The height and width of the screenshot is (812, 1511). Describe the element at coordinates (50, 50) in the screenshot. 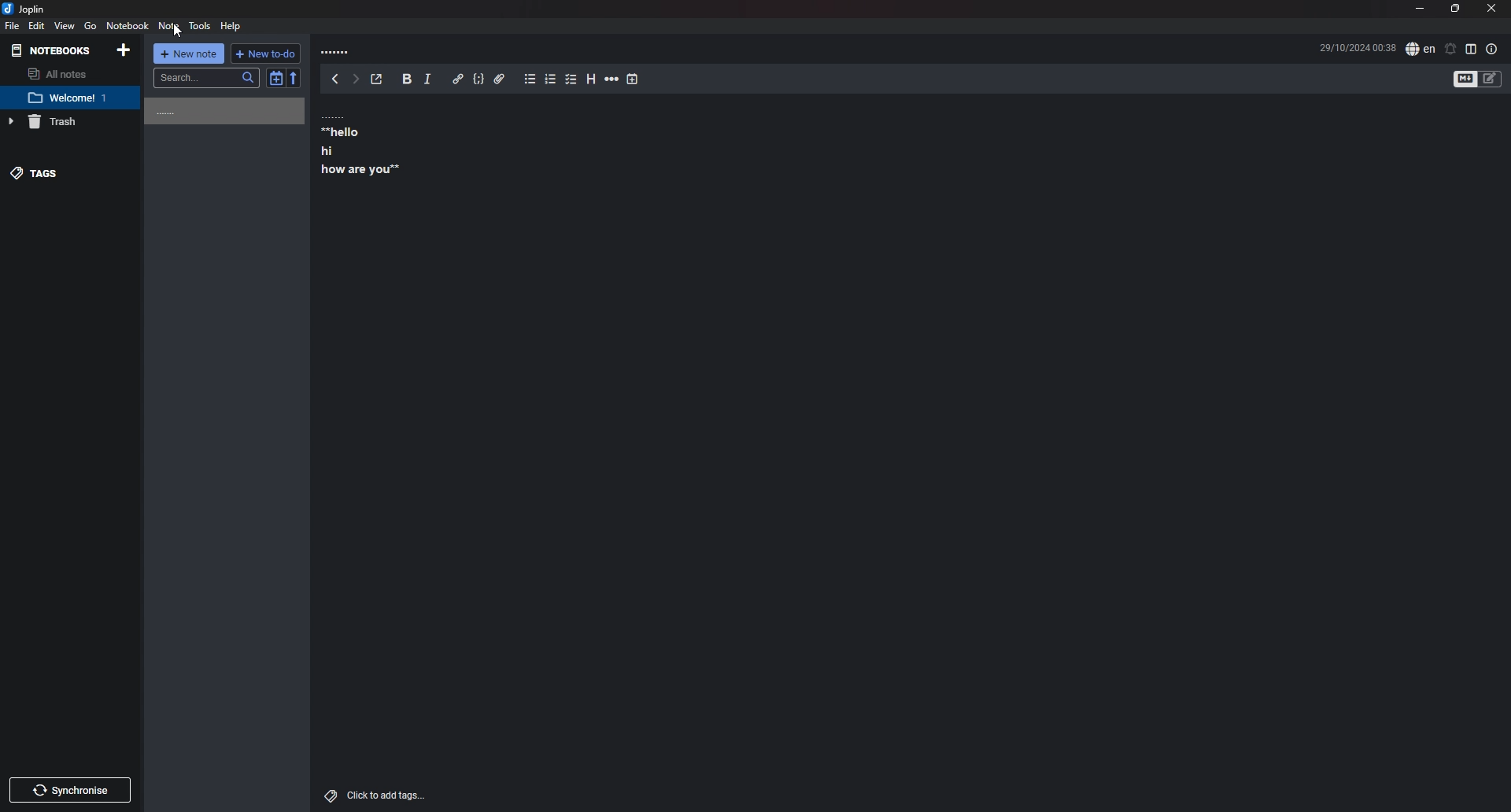

I see `Notebooks` at that location.